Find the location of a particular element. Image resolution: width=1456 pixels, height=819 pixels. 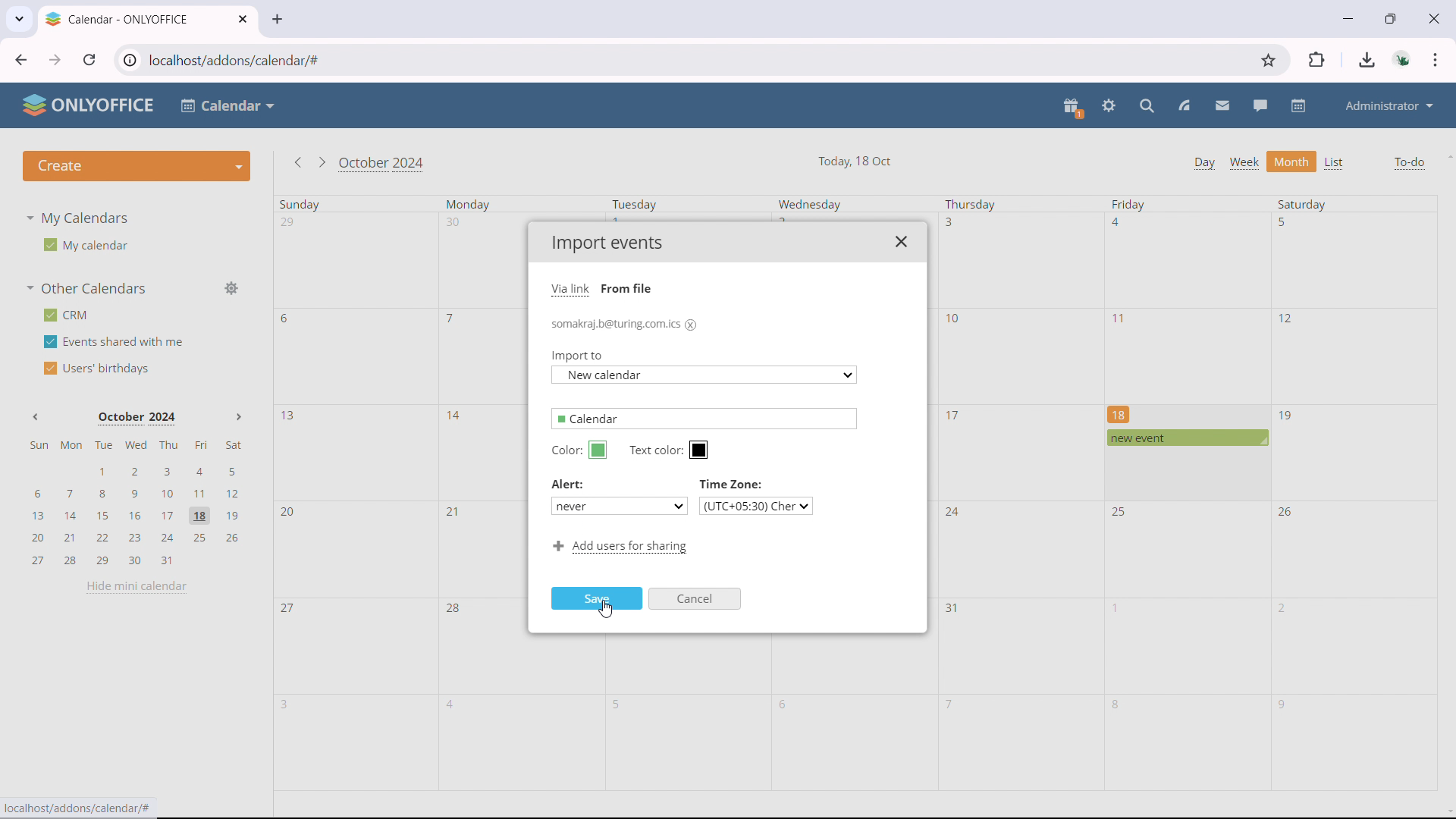

day is located at coordinates (1204, 163).